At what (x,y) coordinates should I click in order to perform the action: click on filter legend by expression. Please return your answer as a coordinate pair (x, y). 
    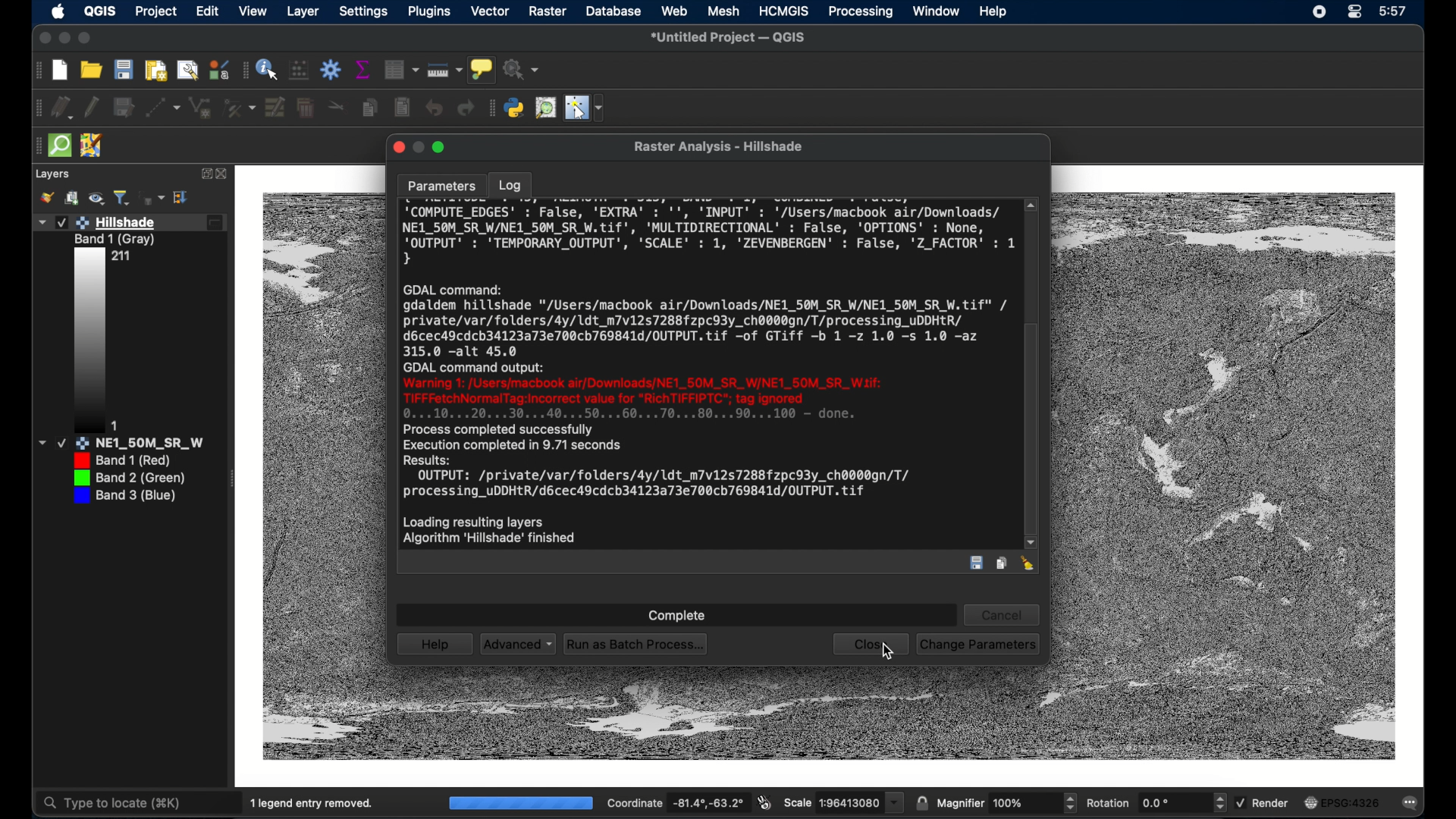
    Looking at the image, I should click on (152, 198).